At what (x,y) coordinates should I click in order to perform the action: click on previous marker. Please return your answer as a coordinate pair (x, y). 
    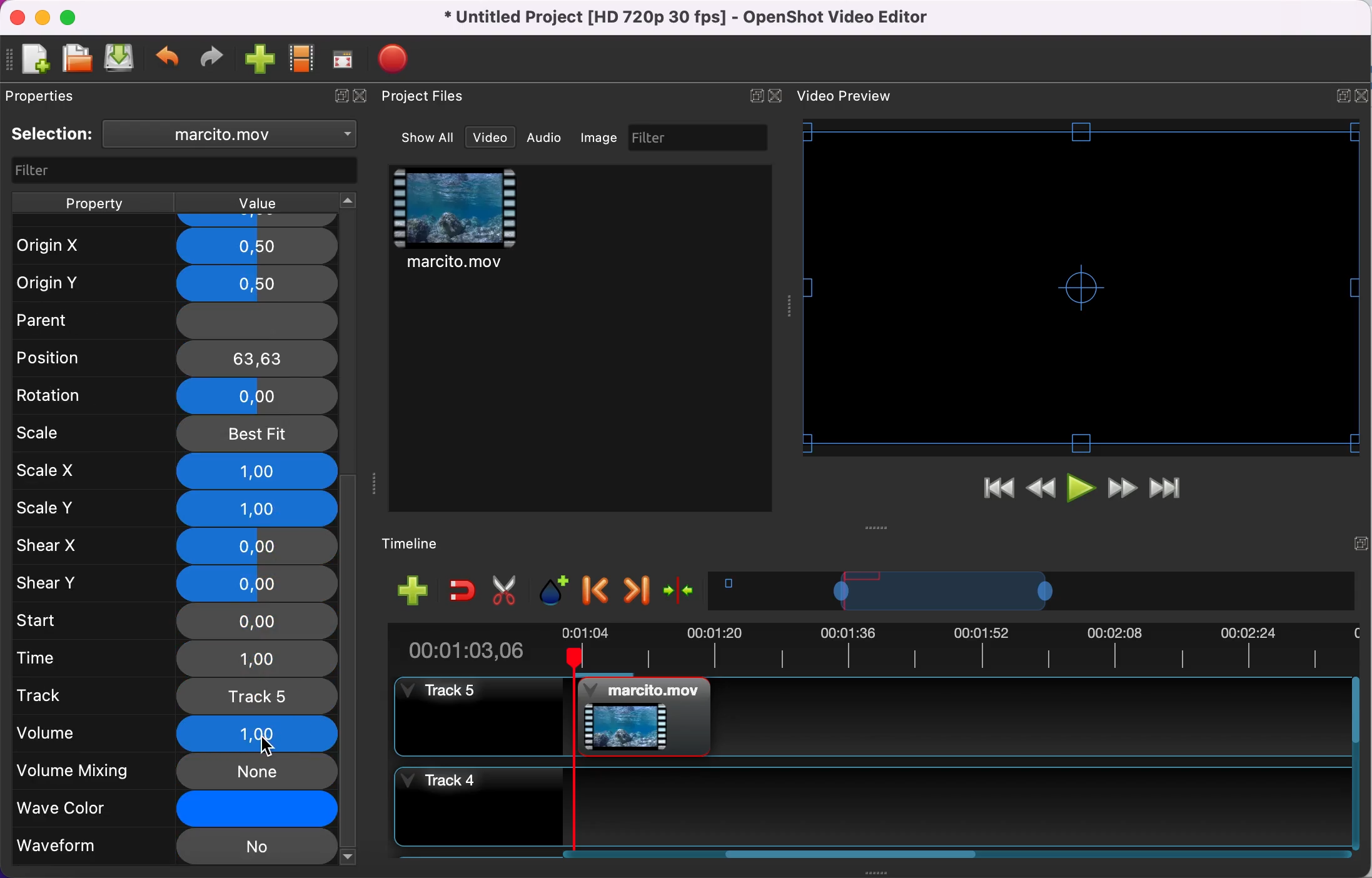
    Looking at the image, I should click on (598, 591).